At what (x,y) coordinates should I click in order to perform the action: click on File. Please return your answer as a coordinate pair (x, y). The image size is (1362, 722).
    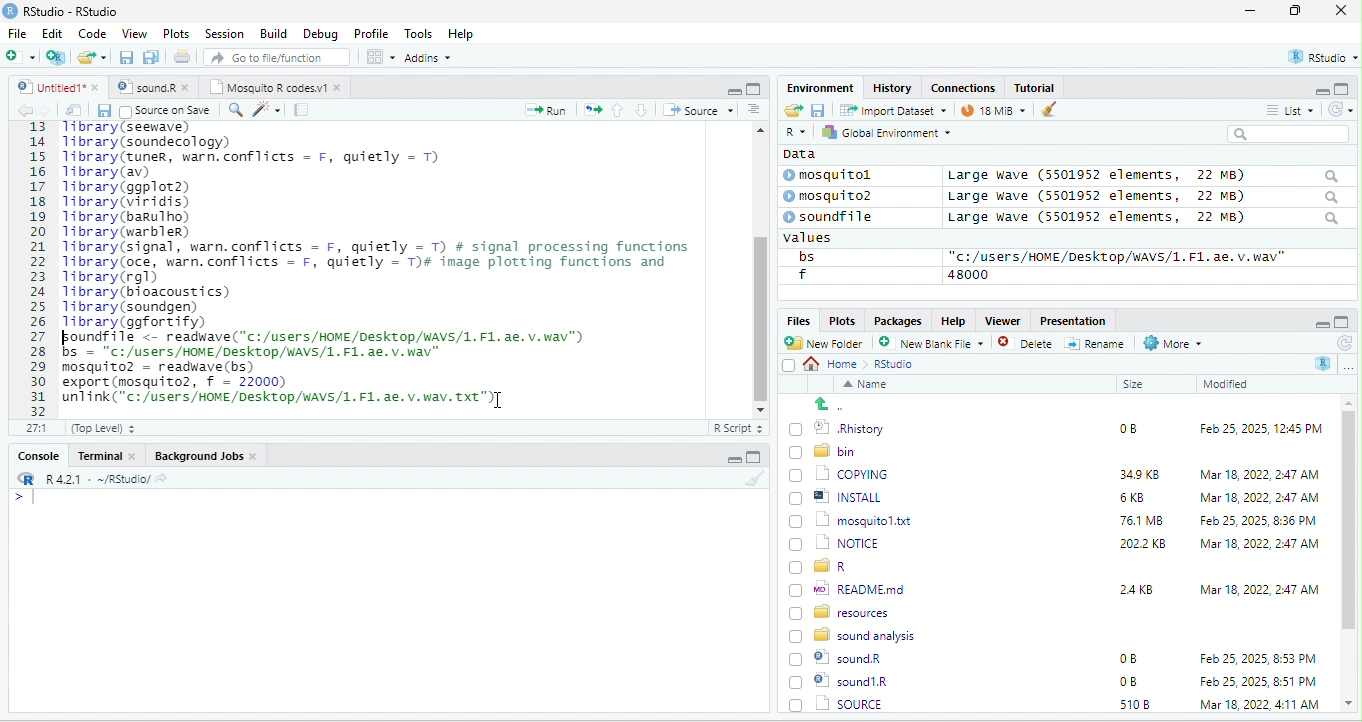
    Looking at the image, I should click on (17, 33).